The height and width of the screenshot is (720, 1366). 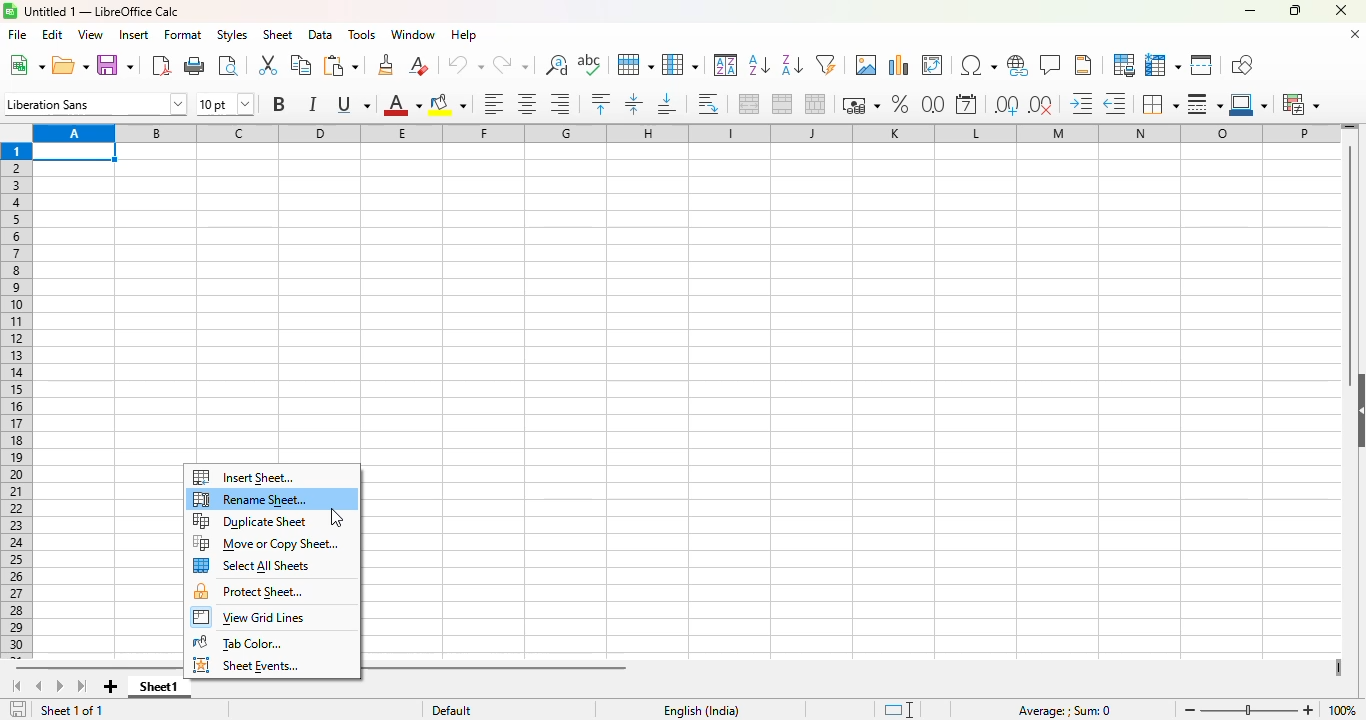 I want to click on undo, so click(x=463, y=65).